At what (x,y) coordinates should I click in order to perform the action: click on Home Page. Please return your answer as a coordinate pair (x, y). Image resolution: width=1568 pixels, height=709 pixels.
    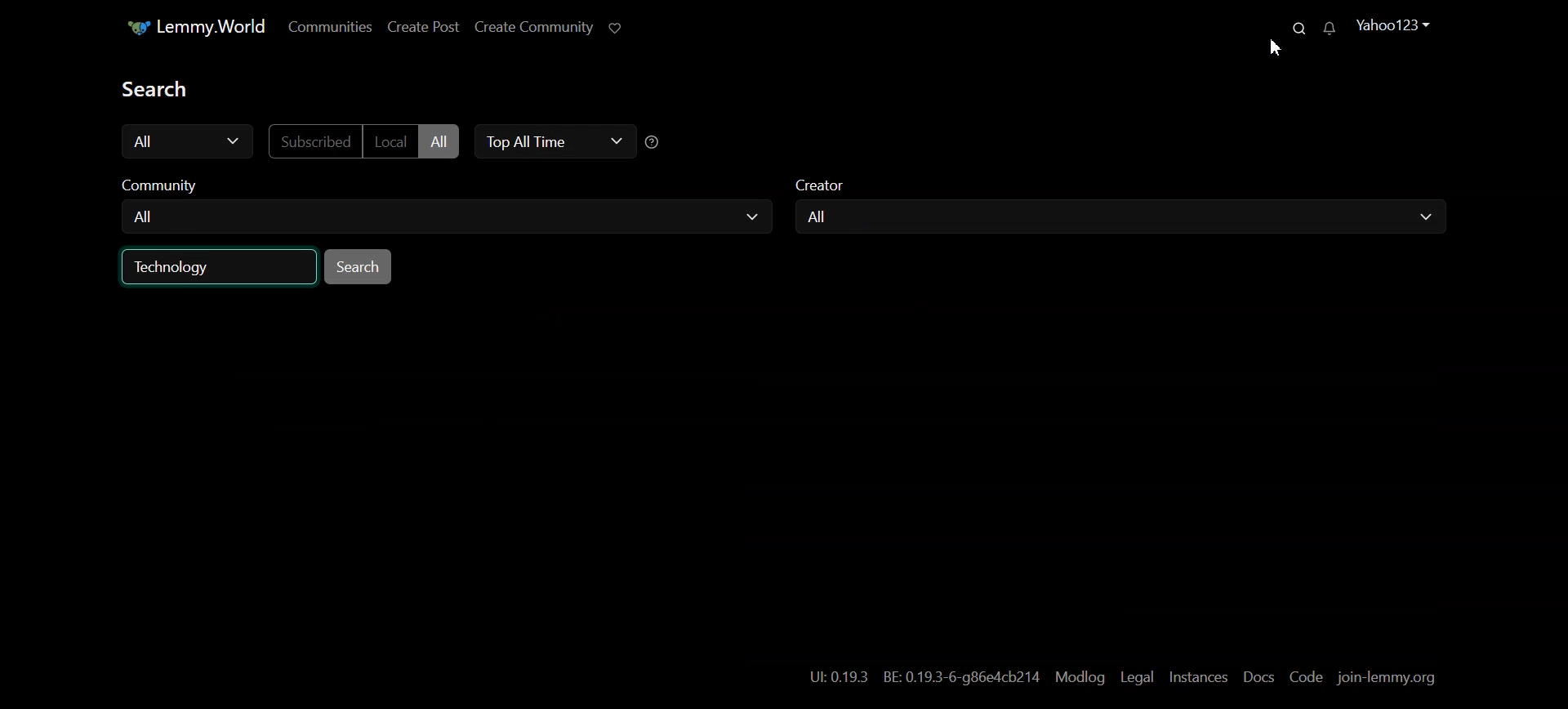
    Looking at the image, I should click on (193, 28).